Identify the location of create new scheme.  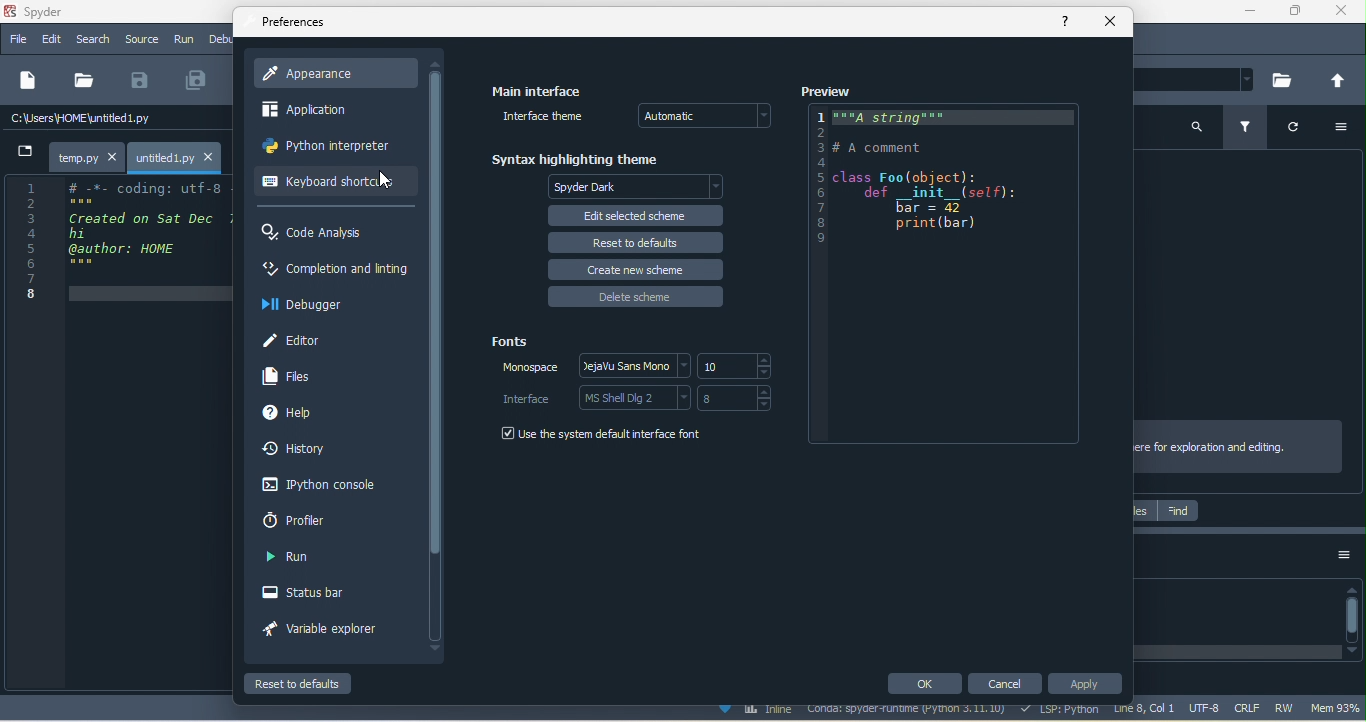
(636, 267).